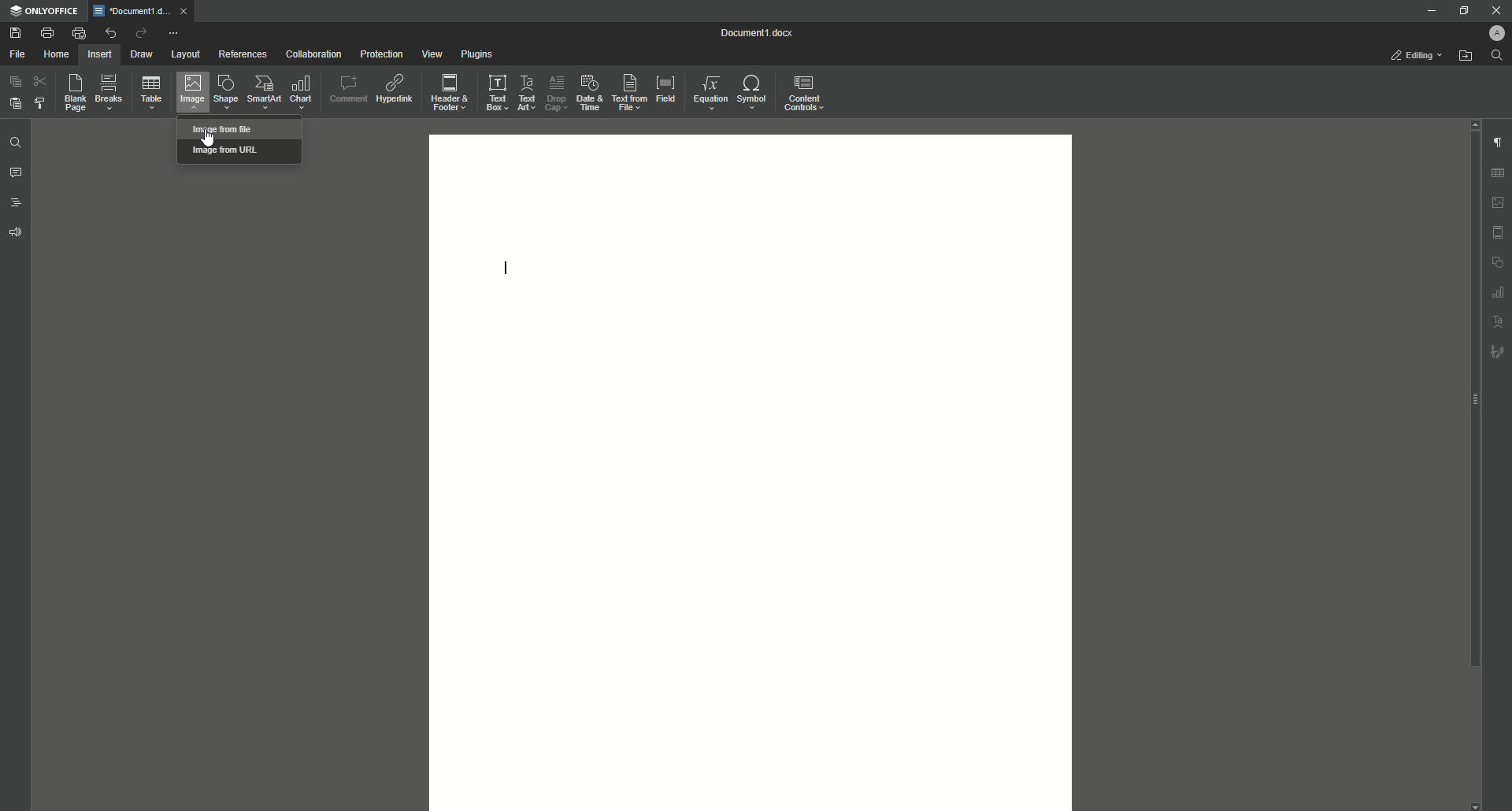 This screenshot has width=1512, height=811. What do you see at coordinates (224, 130) in the screenshot?
I see `Image from file` at bounding box center [224, 130].